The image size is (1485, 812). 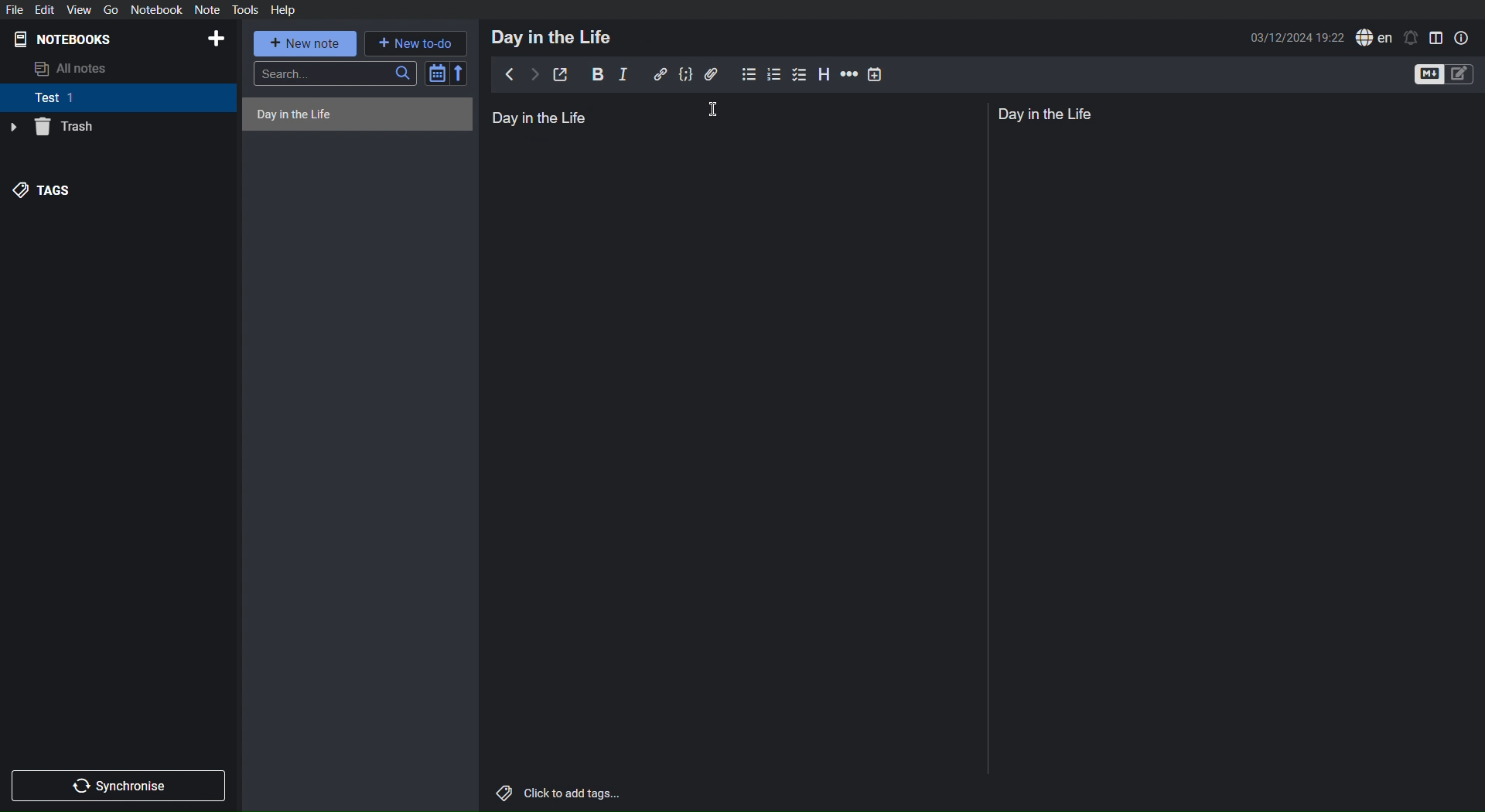 What do you see at coordinates (773, 74) in the screenshot?
I see `Numbered List` at bounding box center [773, 74].